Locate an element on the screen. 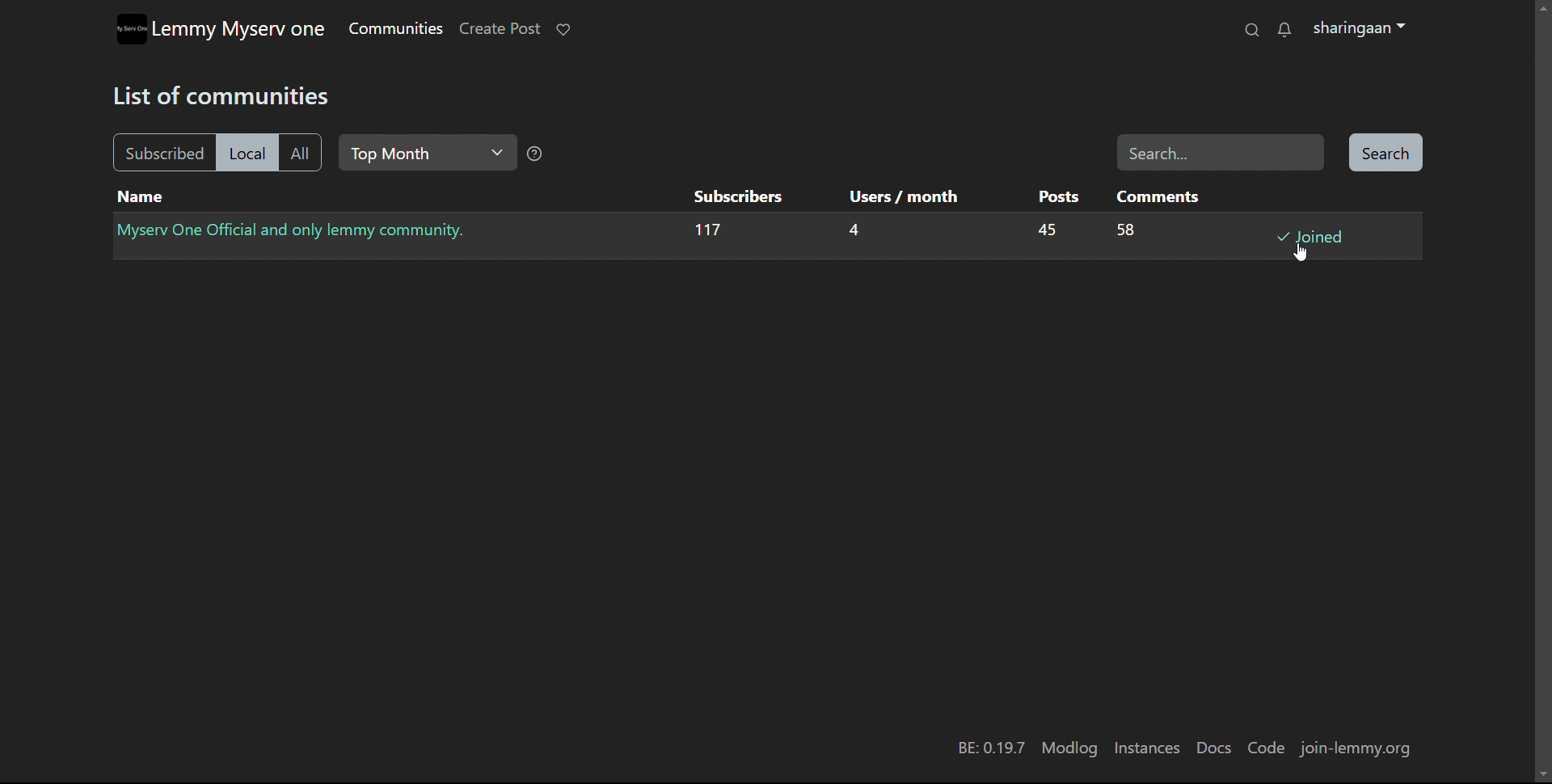 The width and height of the screenshot is (1552, 784). comments is located at coordinates (1156, 196).